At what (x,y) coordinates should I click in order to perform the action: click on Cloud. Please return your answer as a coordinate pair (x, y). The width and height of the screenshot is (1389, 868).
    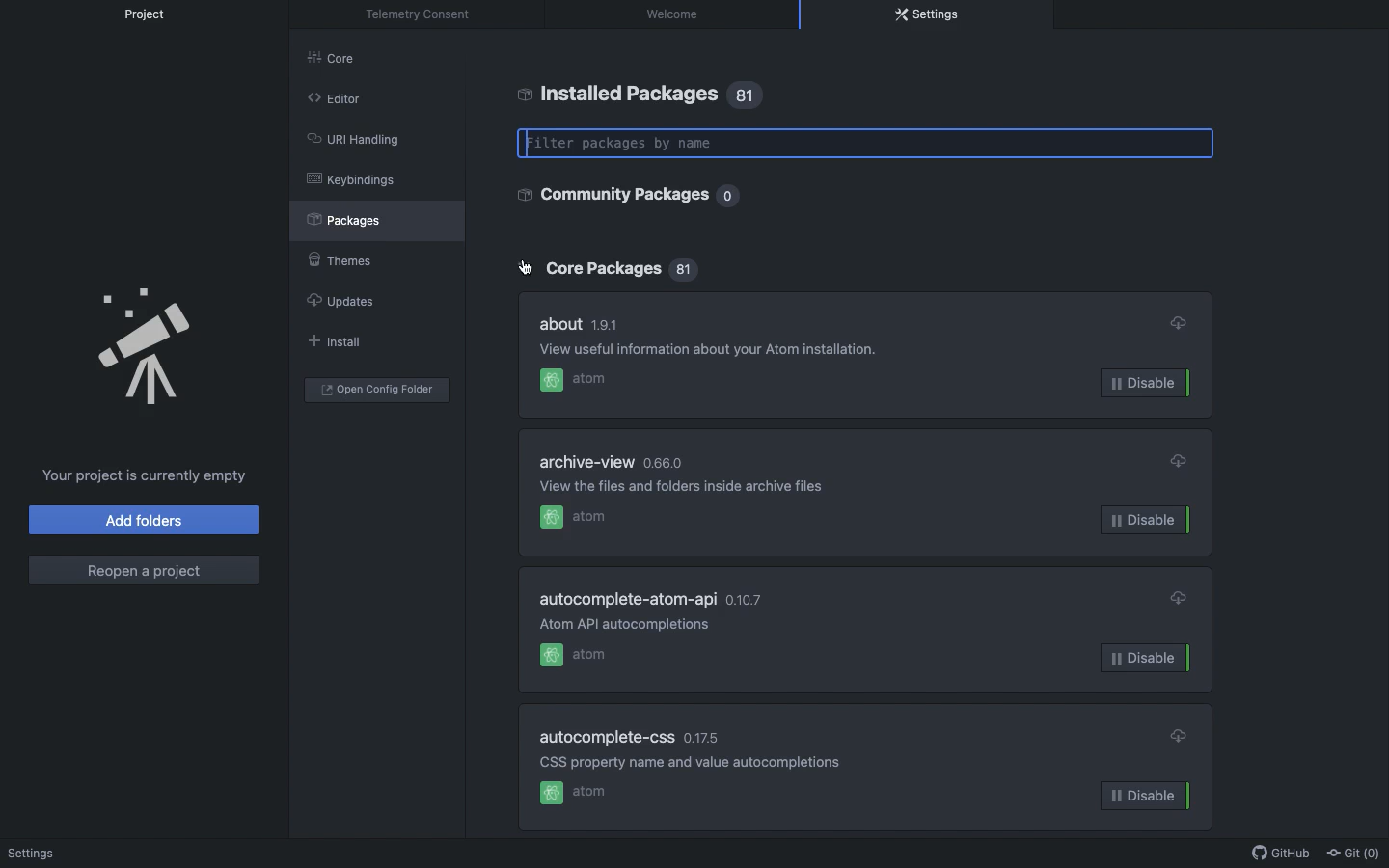
    Looking at the image, I should click on (1177, 322).